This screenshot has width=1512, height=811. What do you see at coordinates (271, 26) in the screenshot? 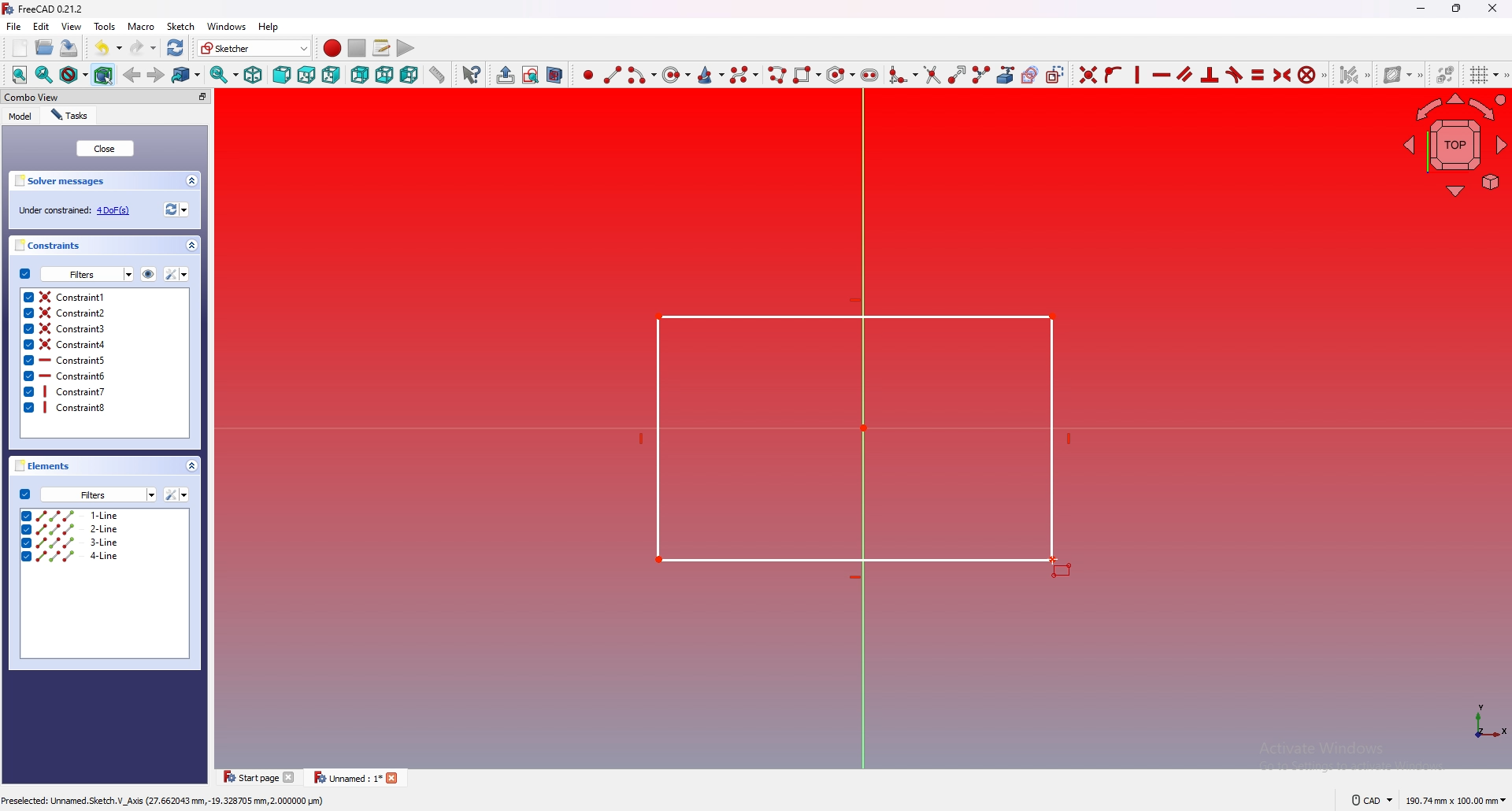
I see `help` at bounding box center [271, 26].